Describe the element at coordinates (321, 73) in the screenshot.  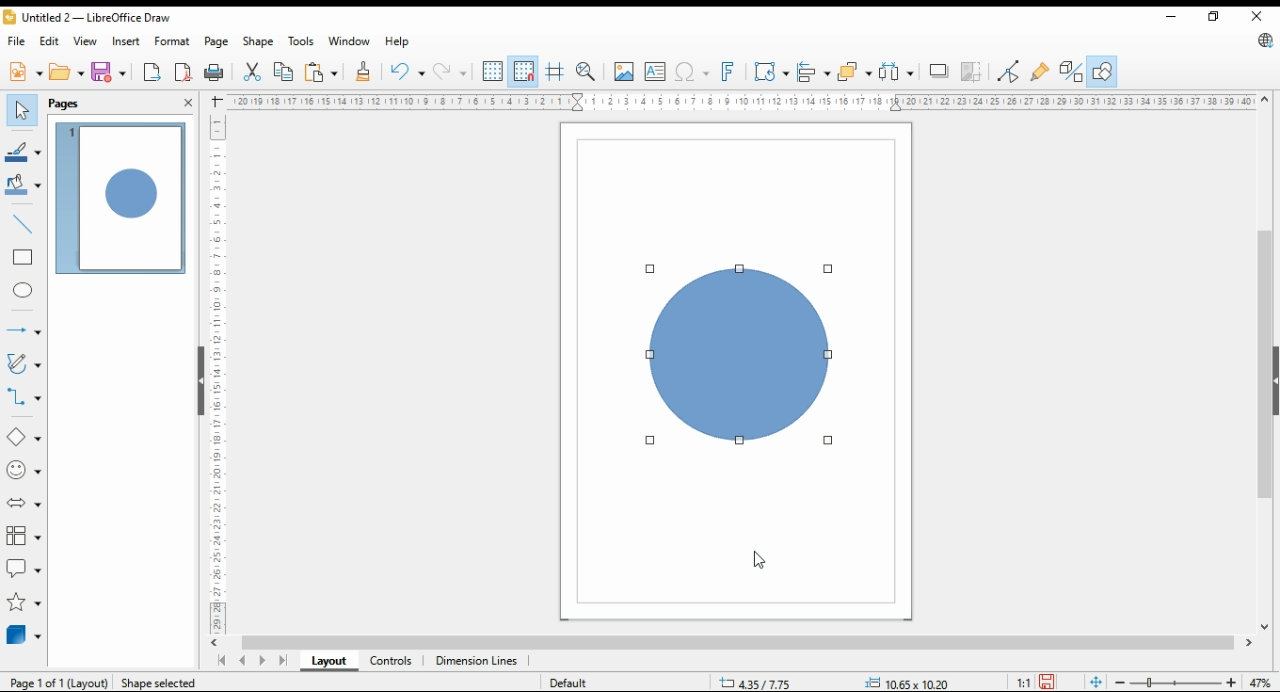
I see `paste` at that location.